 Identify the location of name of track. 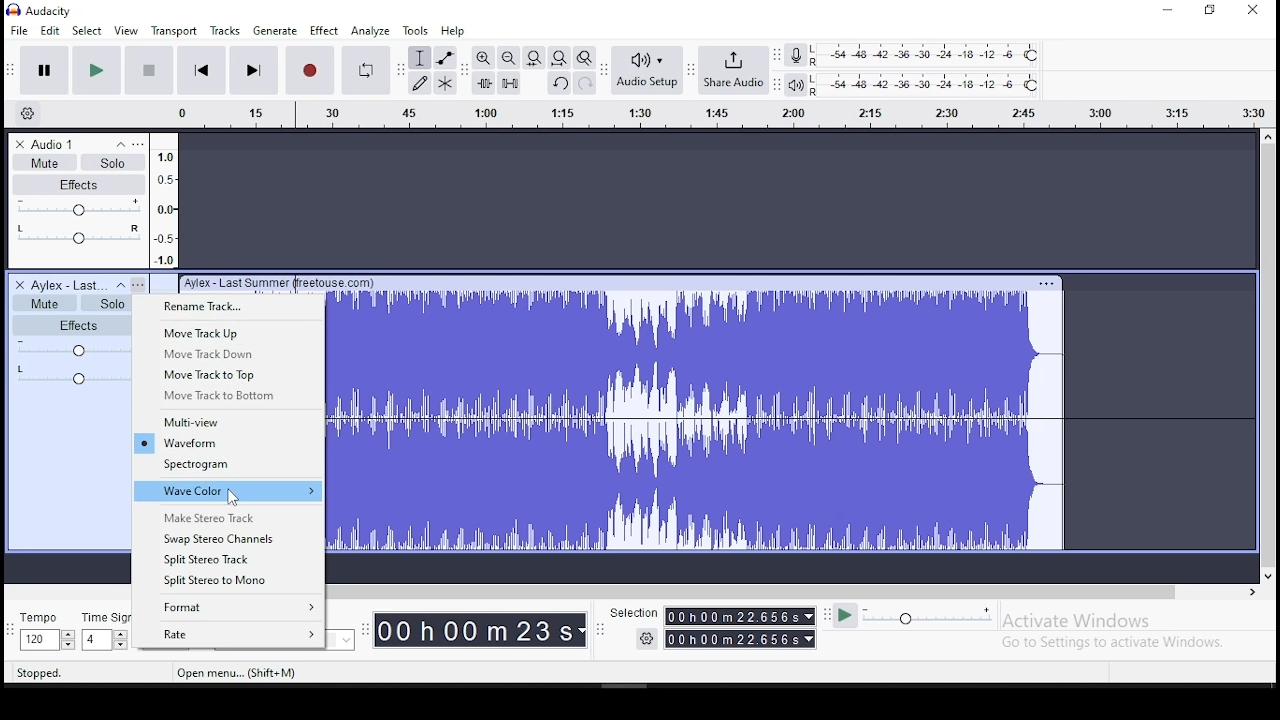
(257, 282).